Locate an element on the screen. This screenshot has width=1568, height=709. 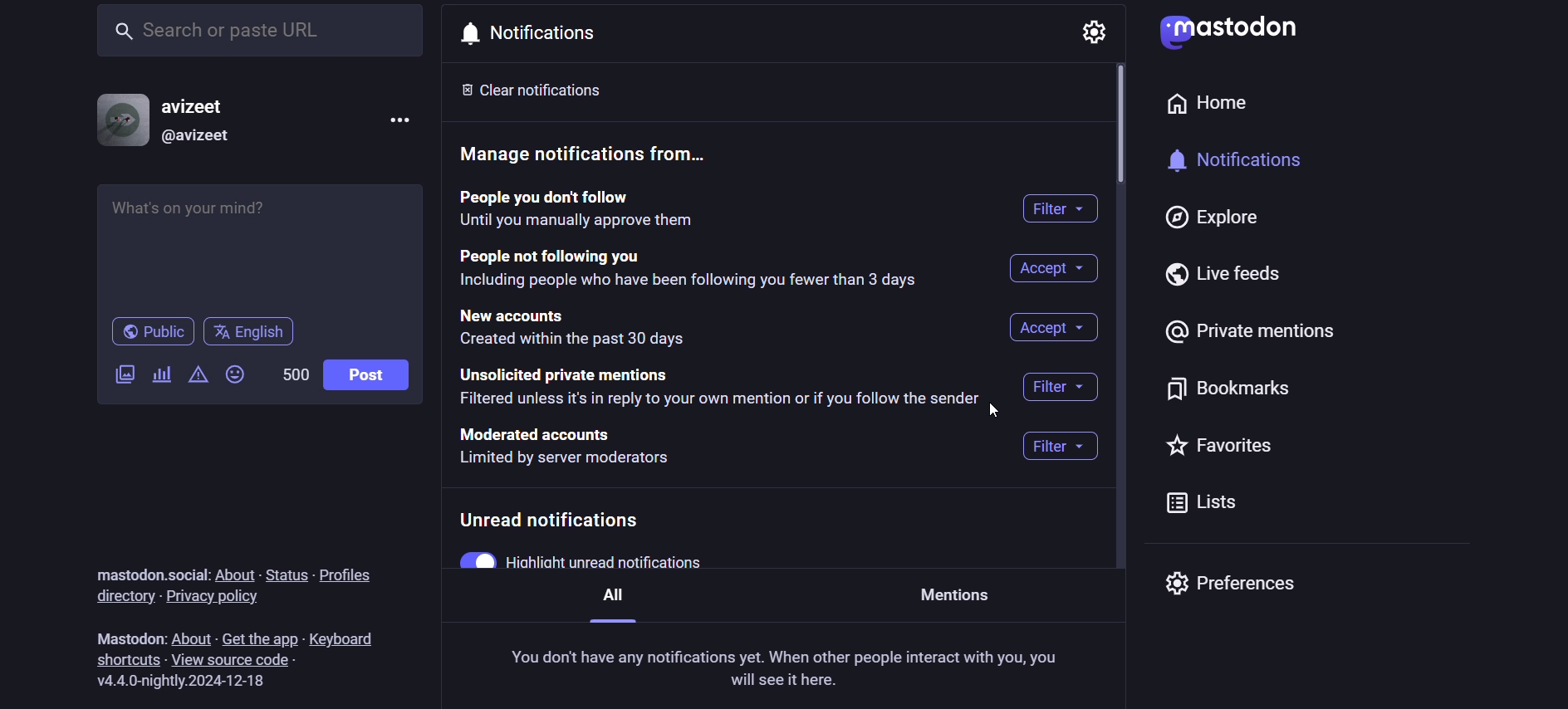
Lists is located at coordinates (1208, 506).